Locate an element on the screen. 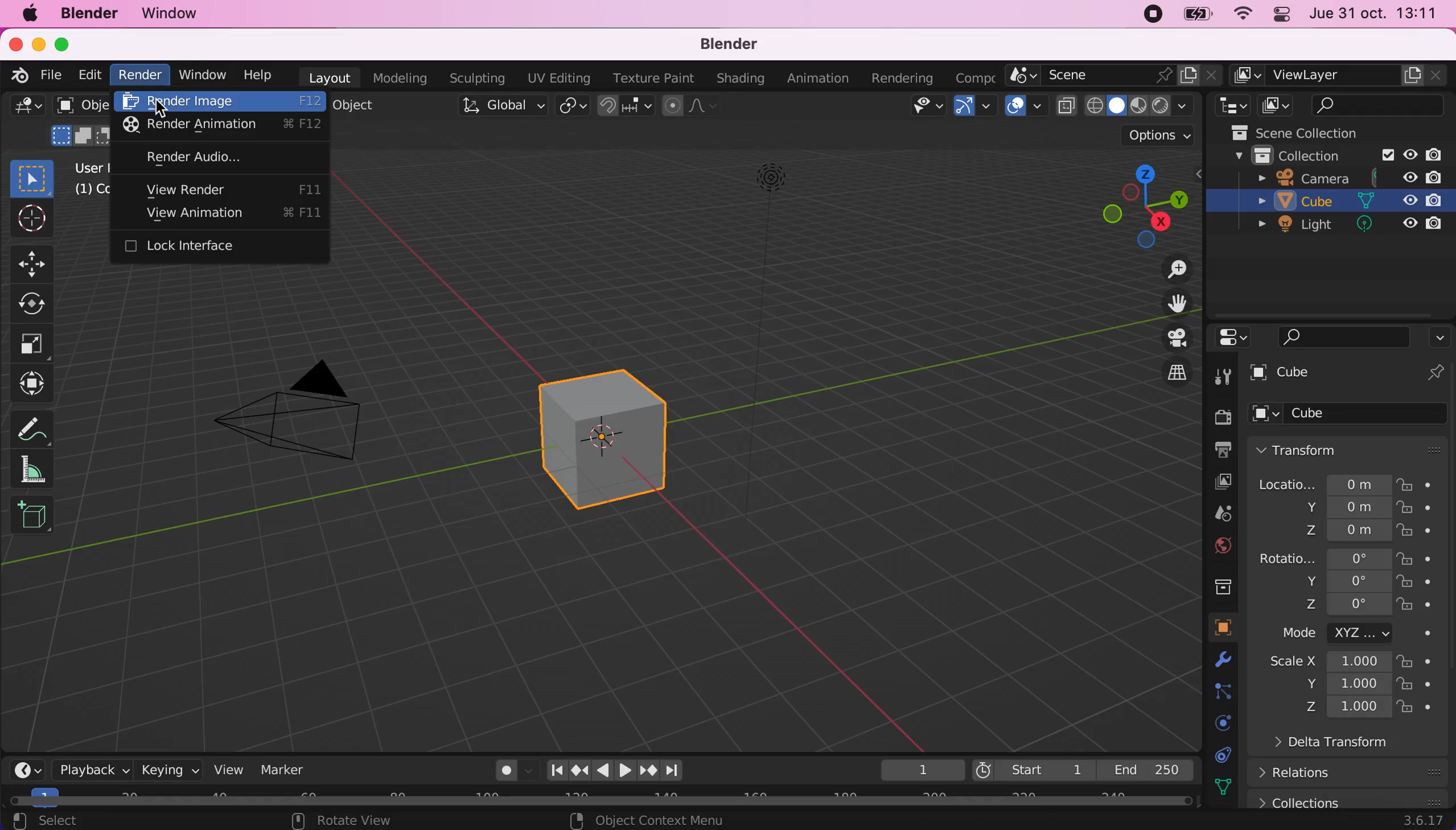 The width and height of the screenshot is (1456, 830). 3.6.17 is located at coordinates (1420, 822).